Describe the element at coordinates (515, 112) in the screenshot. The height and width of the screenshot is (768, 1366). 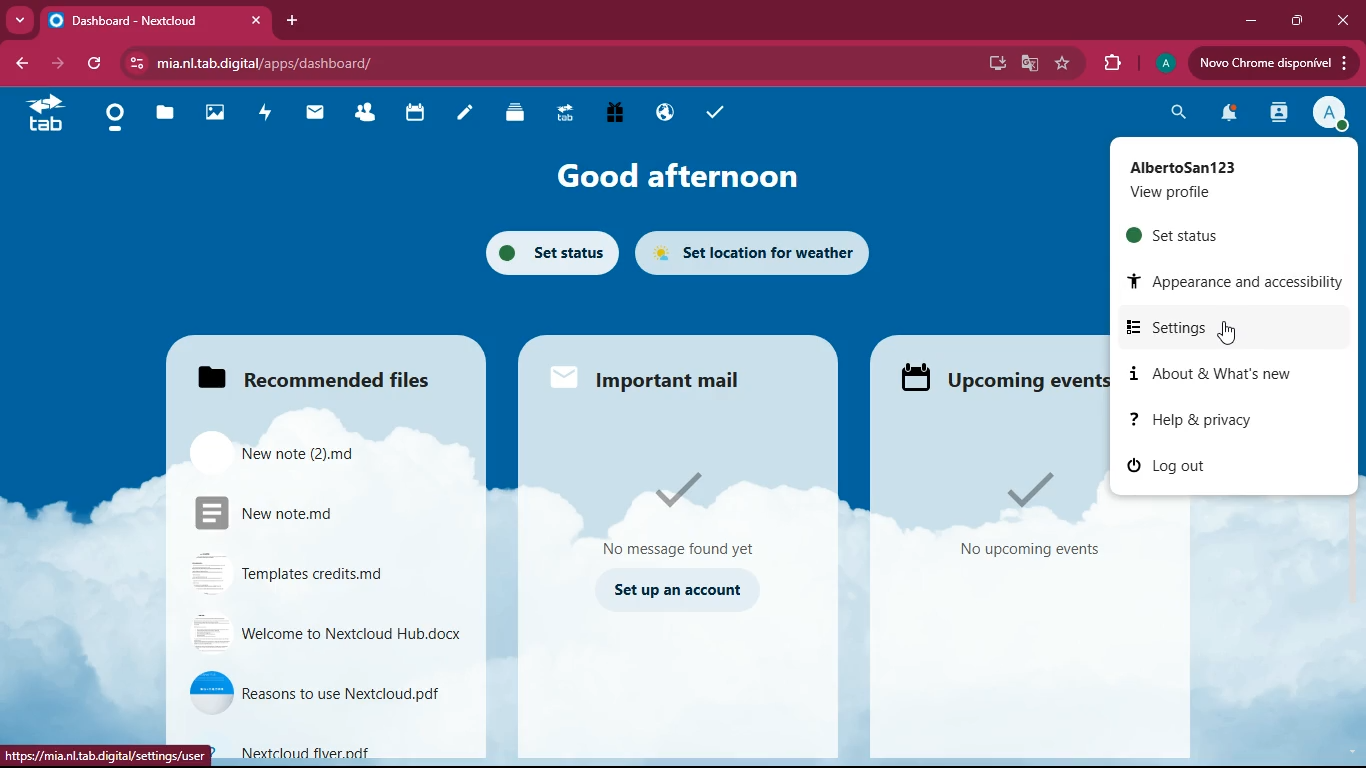
I see `layers` at that location.